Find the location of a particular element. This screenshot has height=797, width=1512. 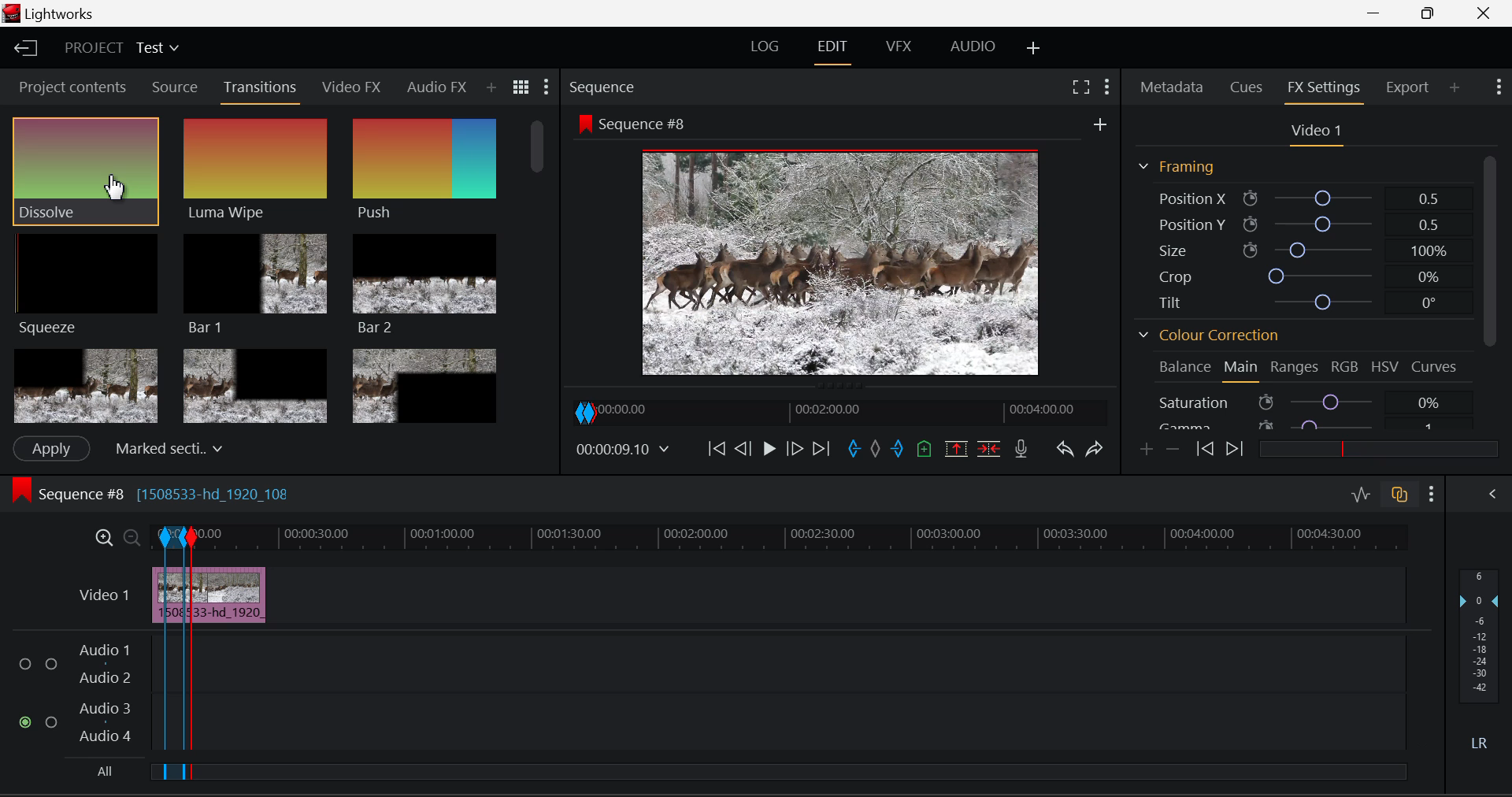

Transitions Panel Open is located at coordinates (261, 91).